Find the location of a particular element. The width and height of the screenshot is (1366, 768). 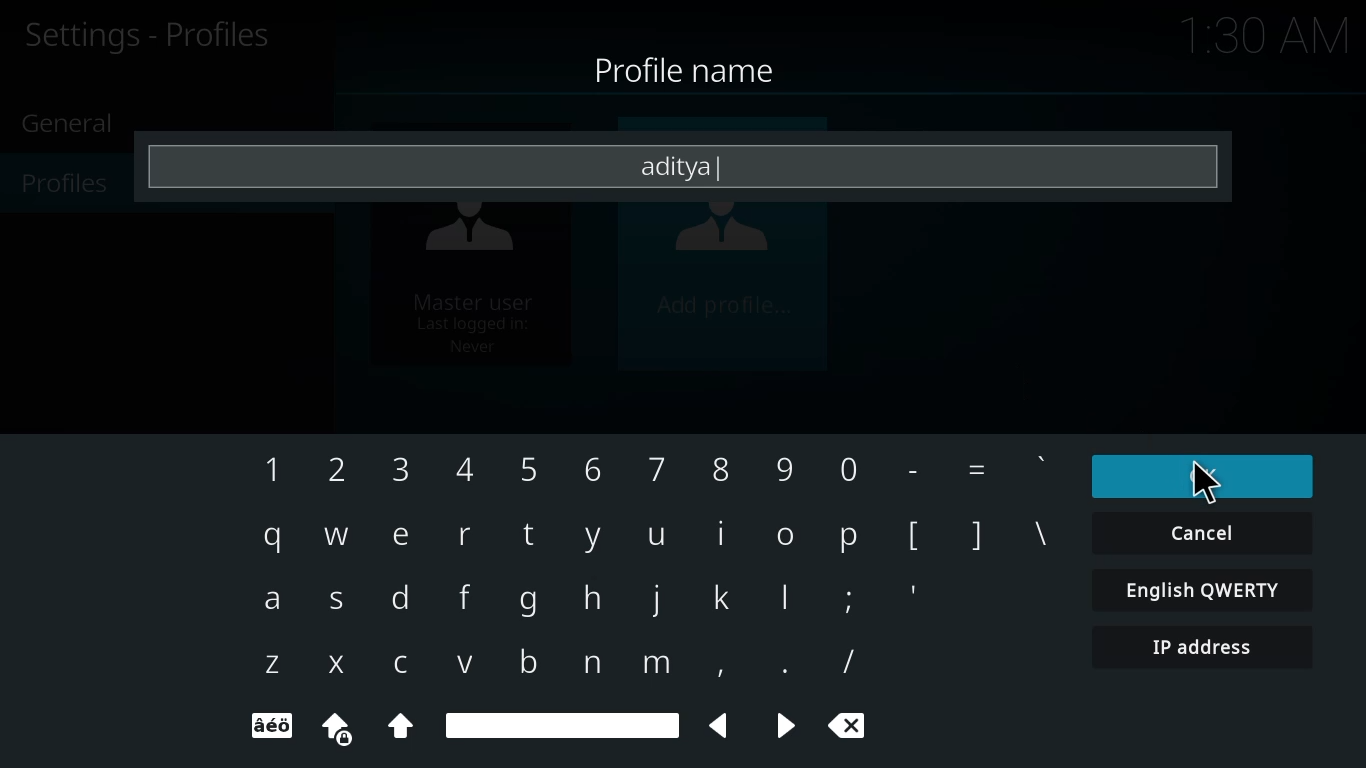

; is located at coordinates (858, 611).